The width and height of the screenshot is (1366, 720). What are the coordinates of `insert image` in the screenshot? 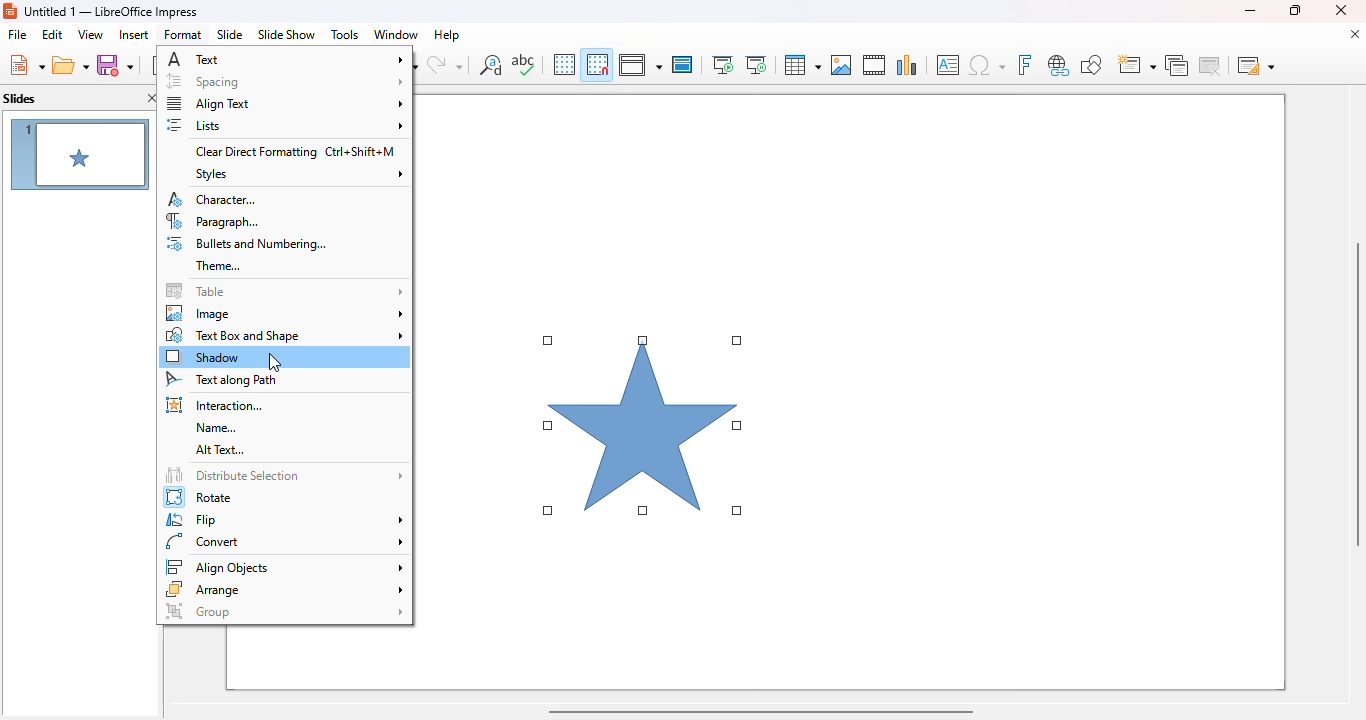 It's located at (841, 65).